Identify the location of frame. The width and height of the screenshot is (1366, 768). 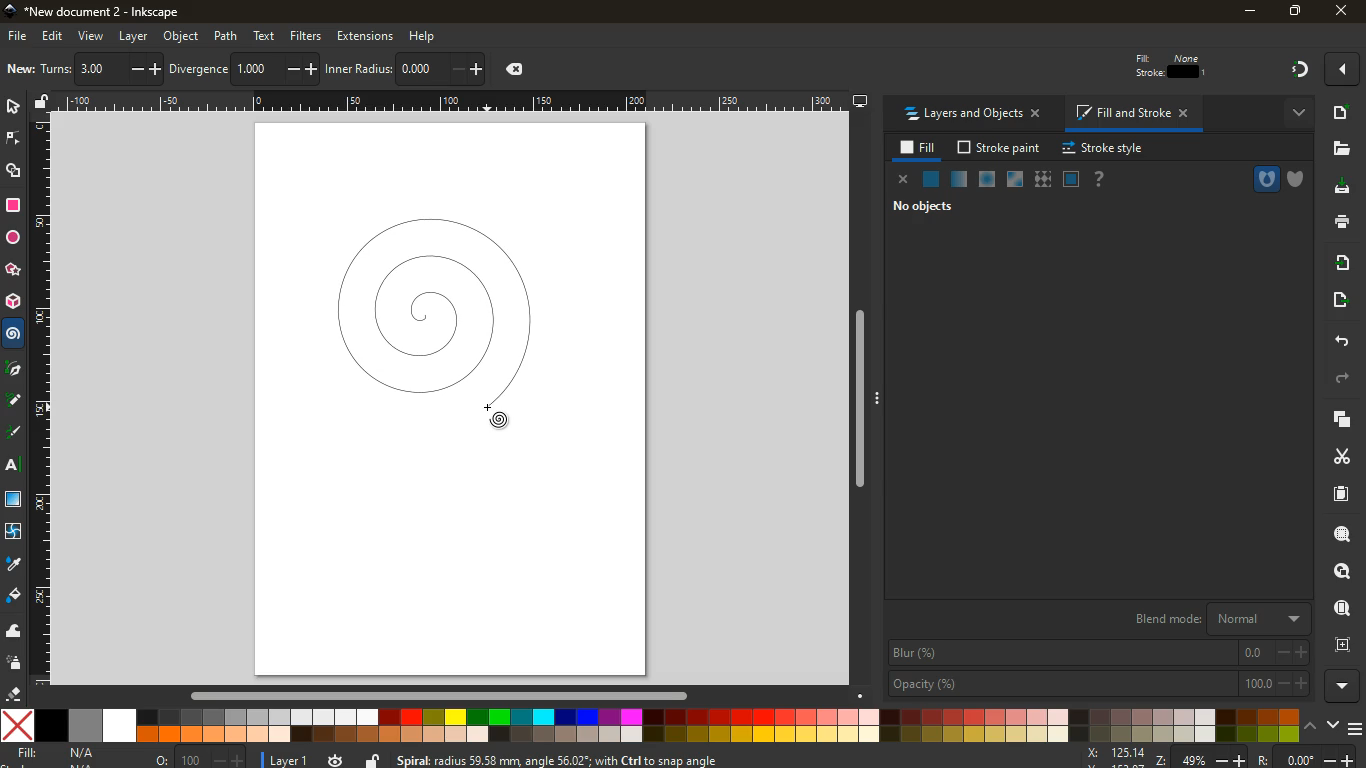
(1341, 647).